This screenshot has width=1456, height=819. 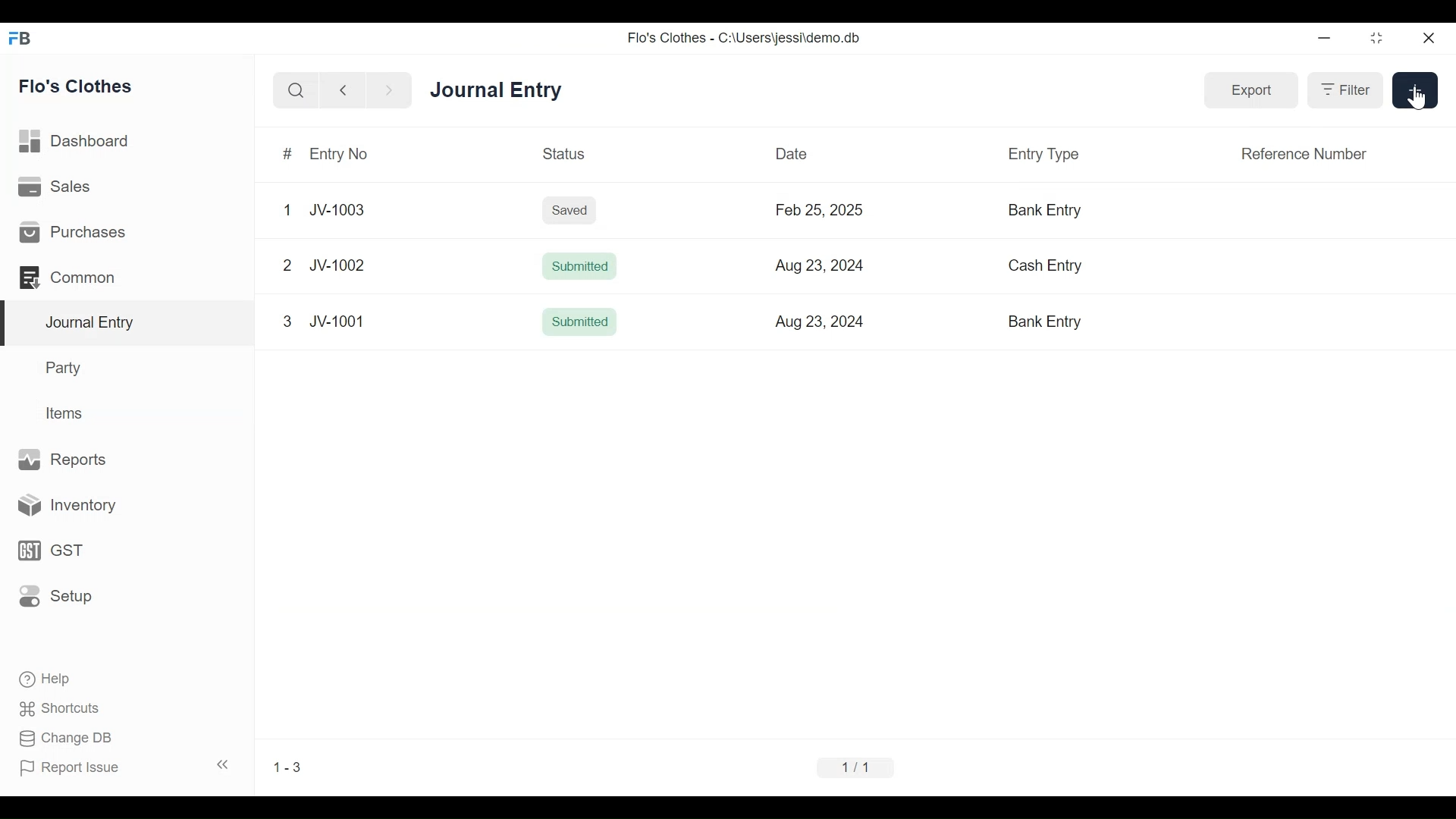 I want to click on Purchases, so click(x=73, y=231).